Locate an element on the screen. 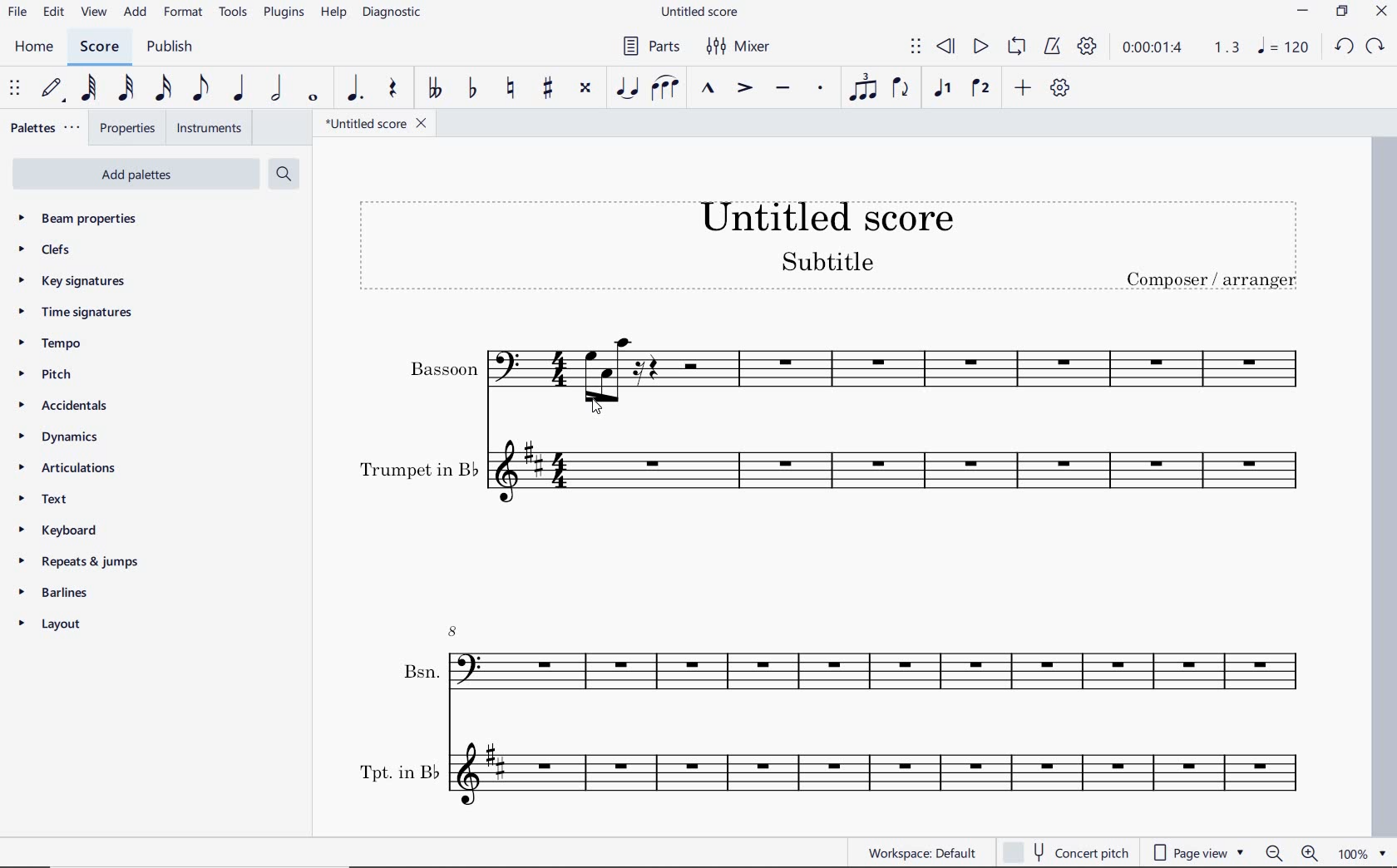  play is located at coordinates (980, 47).